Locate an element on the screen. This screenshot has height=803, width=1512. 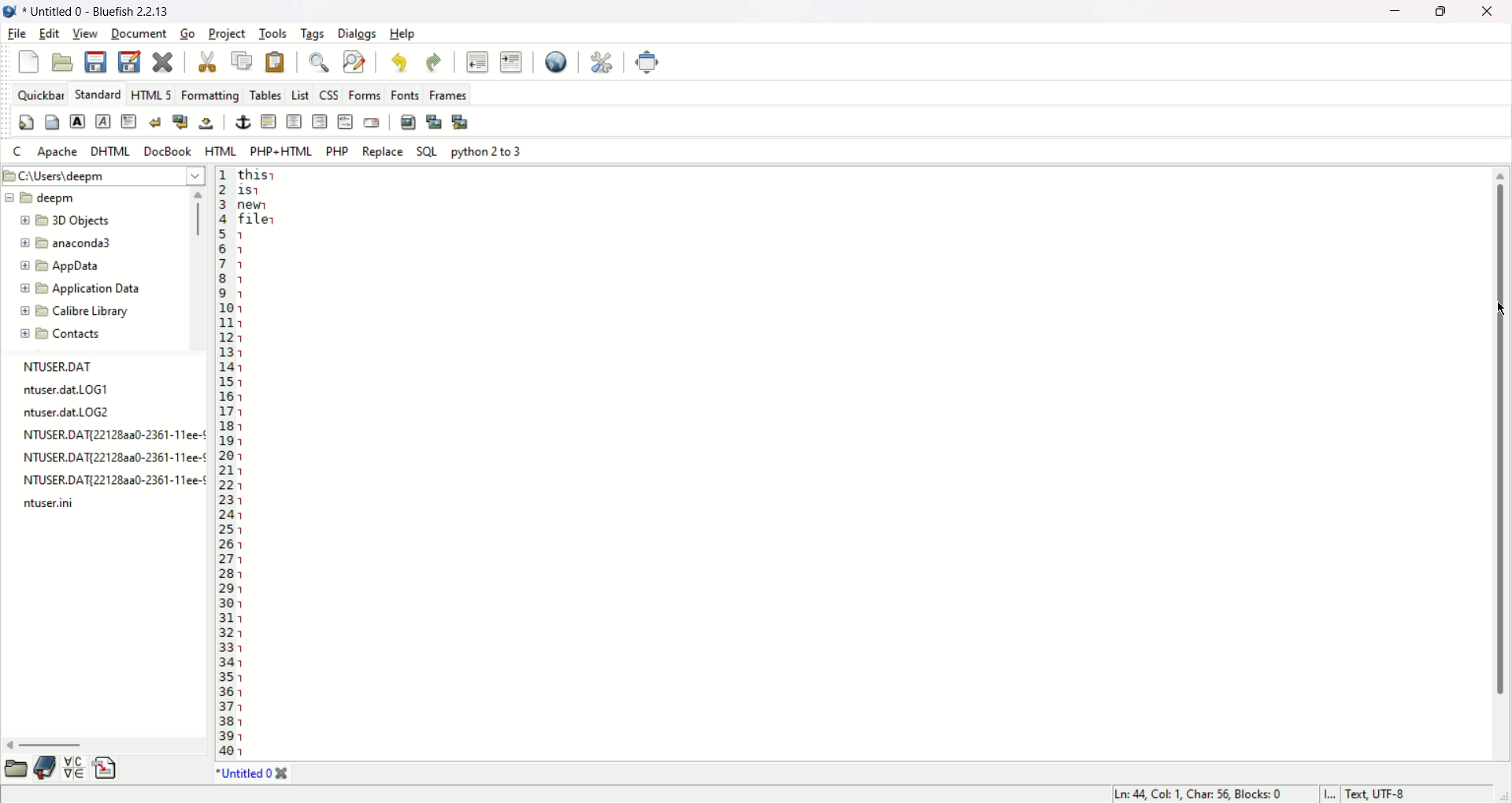
snippets is located at coordinates (106, 769).